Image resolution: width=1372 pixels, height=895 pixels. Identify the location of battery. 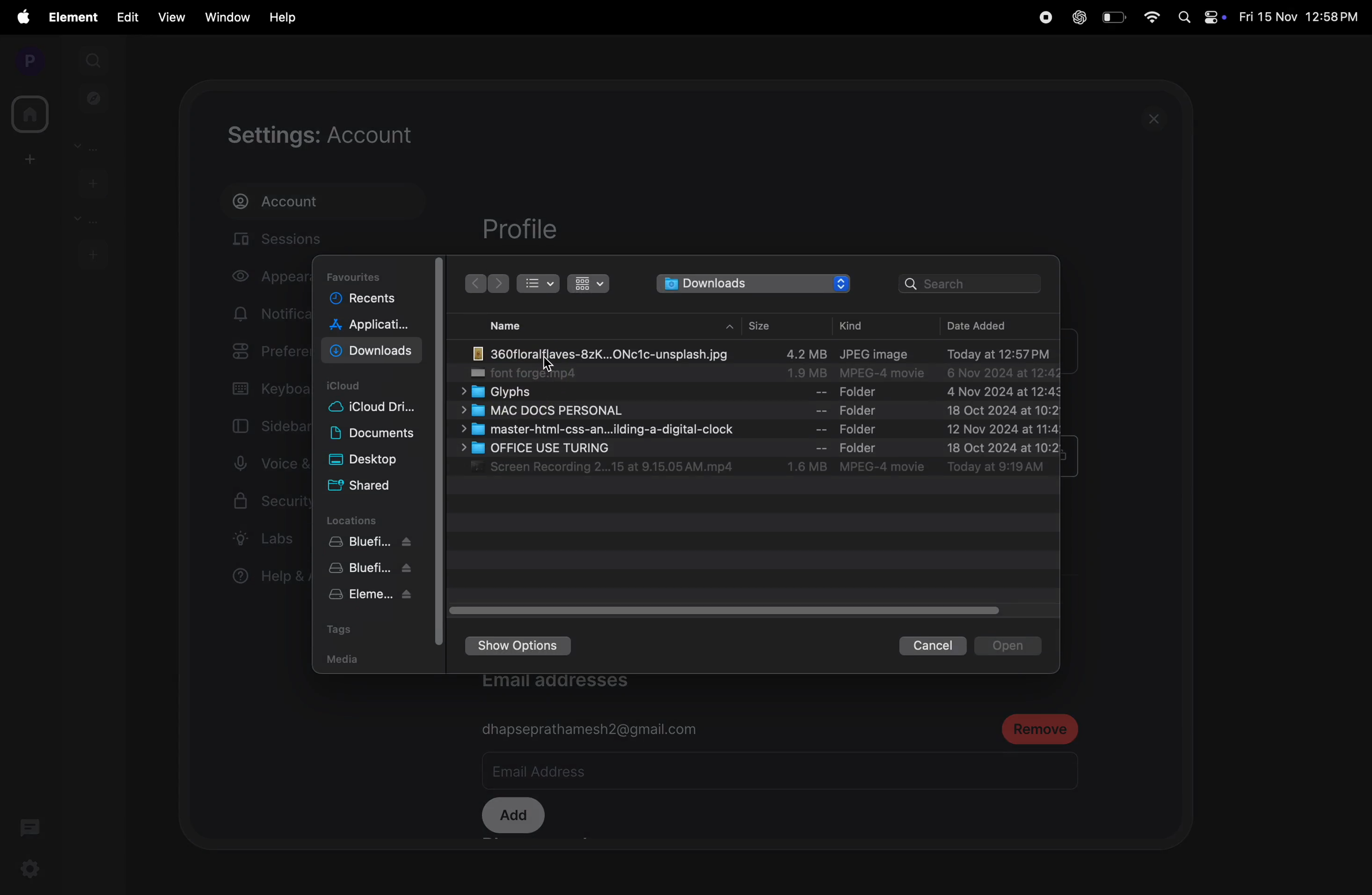
(1113, 17).